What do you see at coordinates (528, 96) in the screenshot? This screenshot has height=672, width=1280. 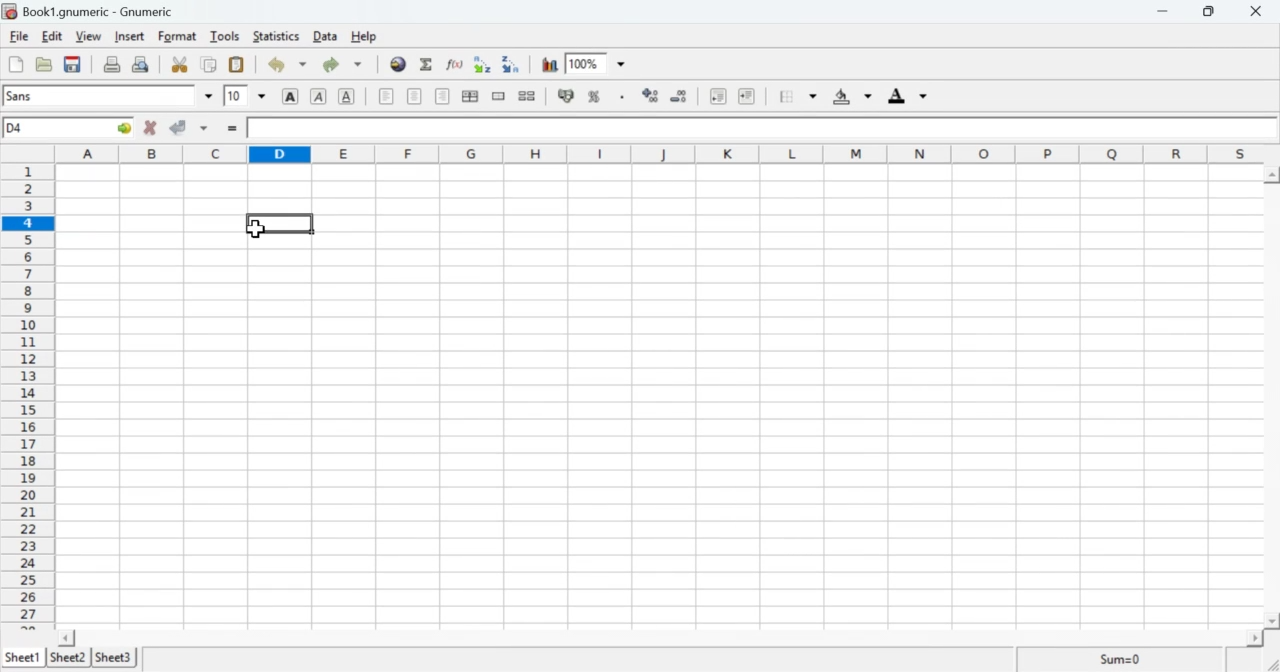 I see `Split cells` at bounding box center [528, 96].